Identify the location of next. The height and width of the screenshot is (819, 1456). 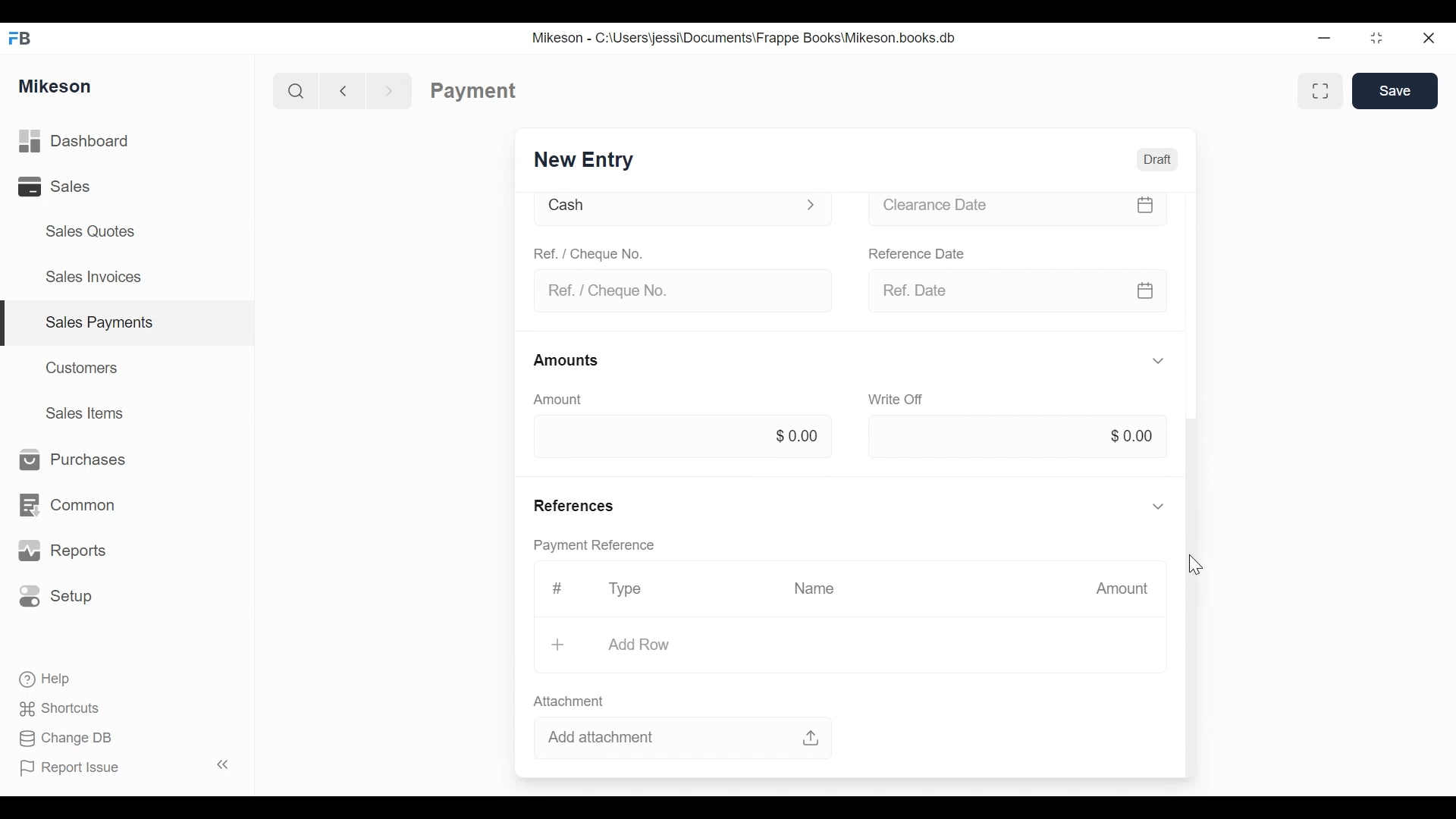
(388, 90).